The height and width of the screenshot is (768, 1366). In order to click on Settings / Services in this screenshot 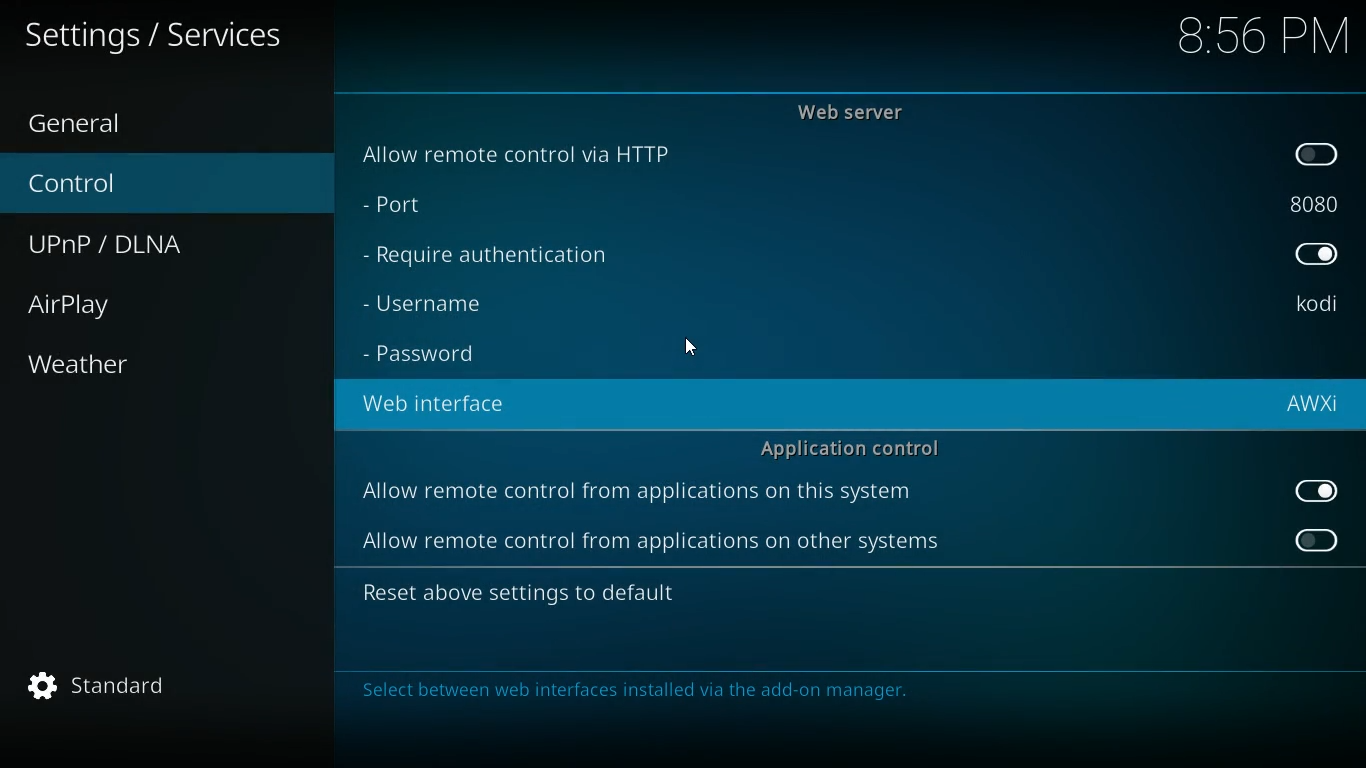, I will do `click(157, 36)`.